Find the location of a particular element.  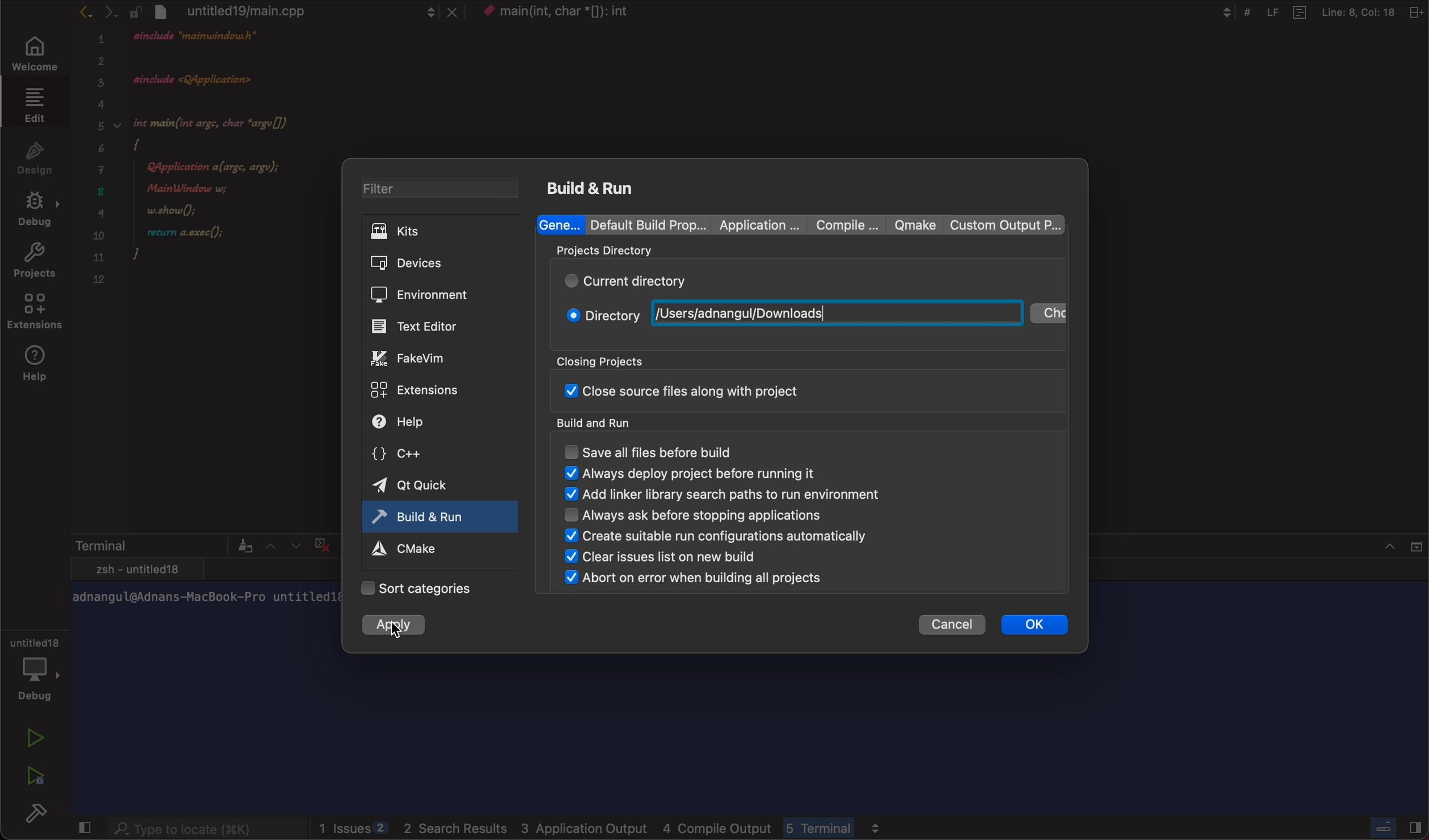

run debug is located at coordinates (33, 773).